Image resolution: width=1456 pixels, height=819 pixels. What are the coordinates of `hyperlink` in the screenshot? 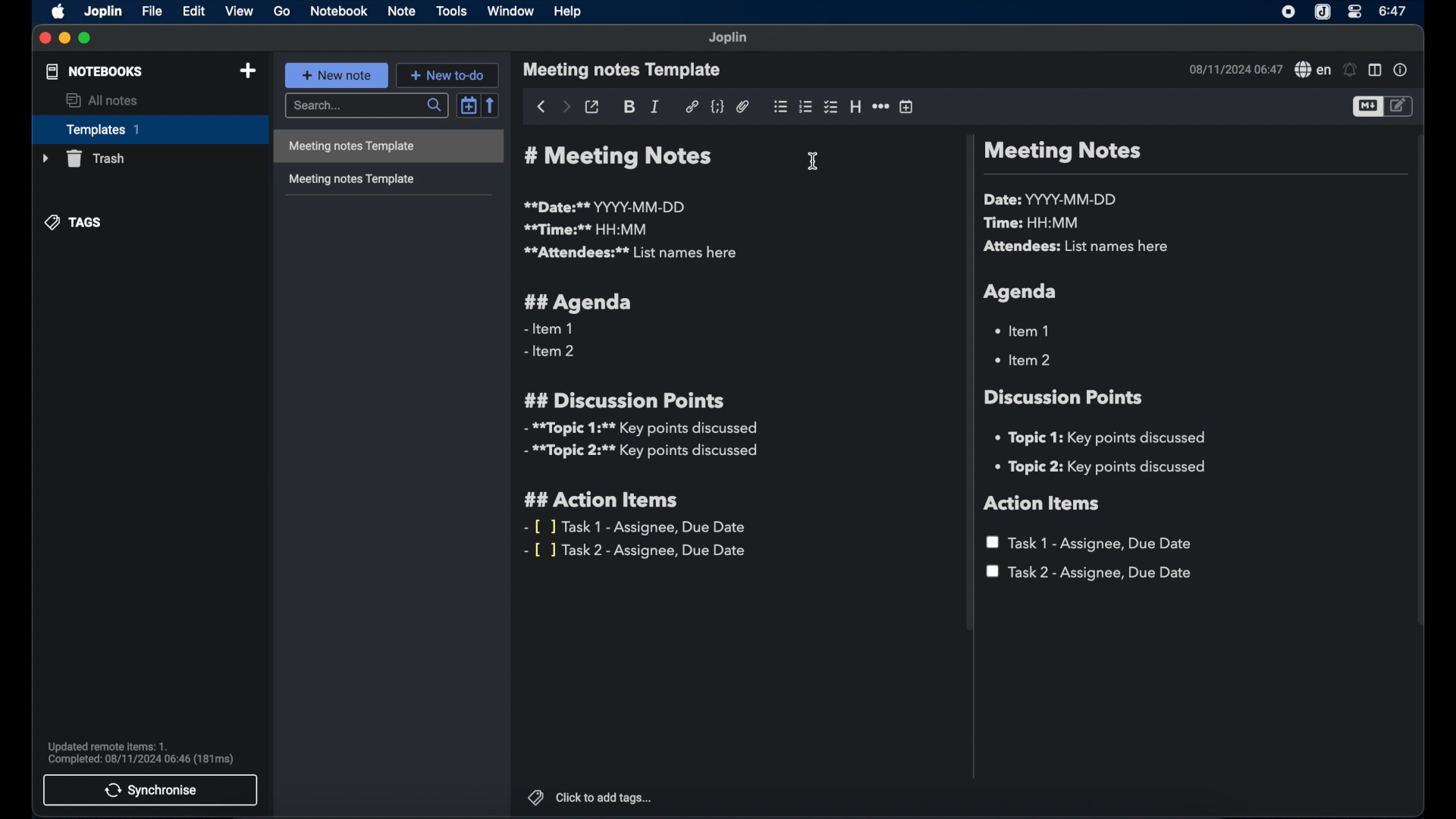 It's located at (692, 106).